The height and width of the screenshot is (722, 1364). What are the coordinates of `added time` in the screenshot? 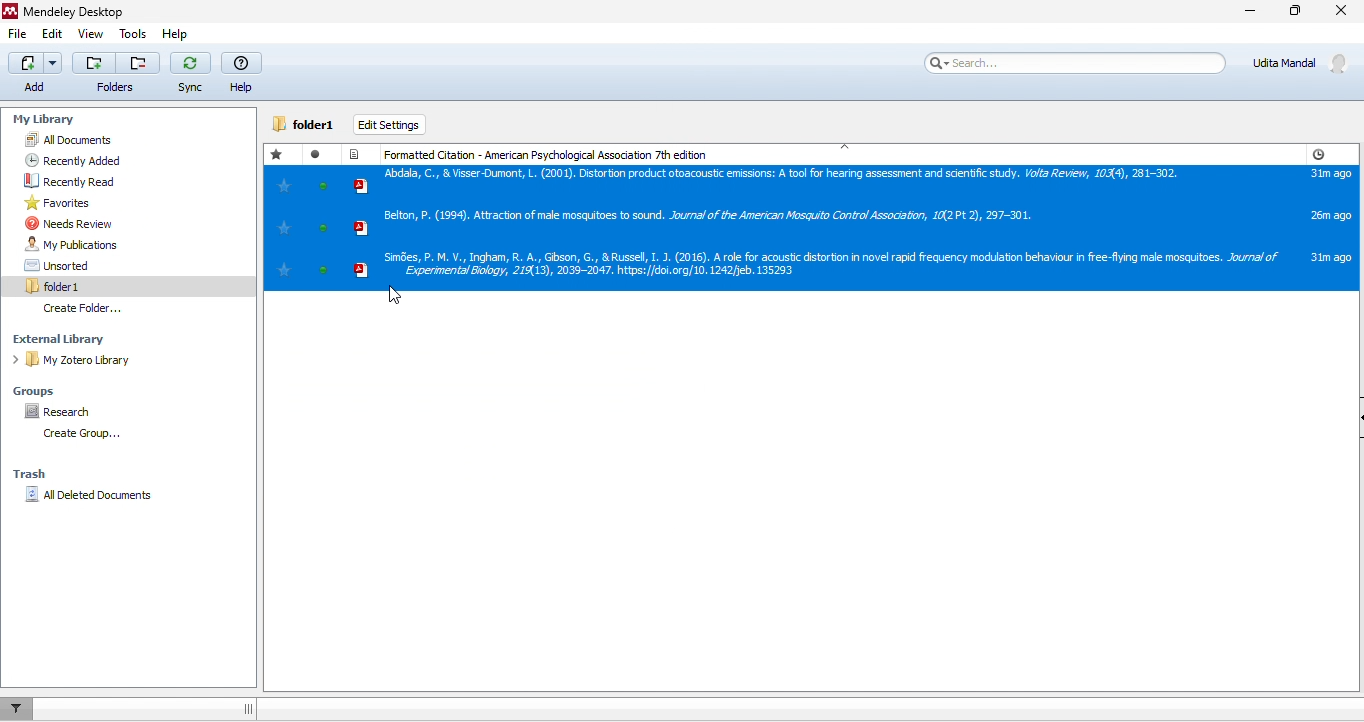 It's located at (1318, 154).